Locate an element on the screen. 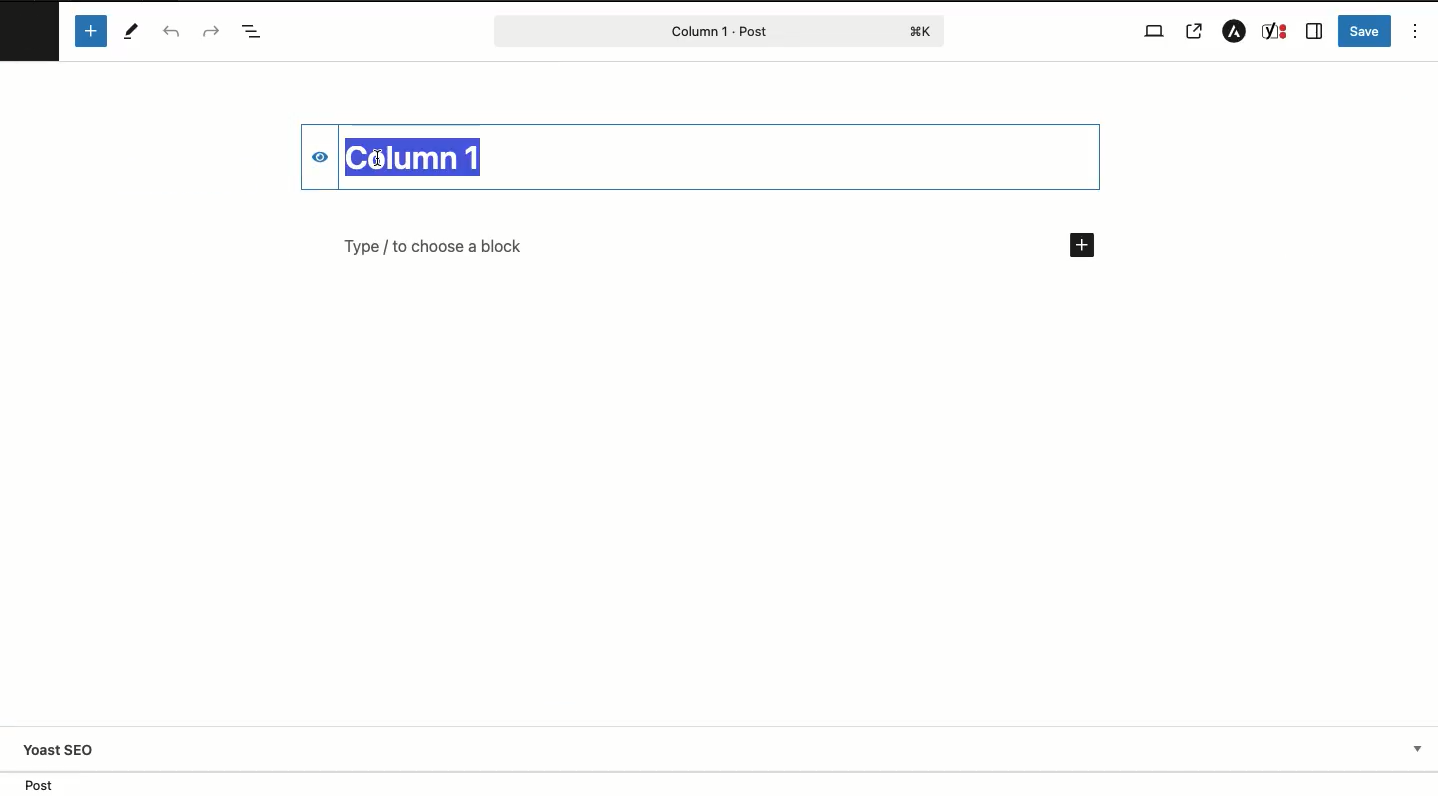  Post is located at coordinates (718, 30).